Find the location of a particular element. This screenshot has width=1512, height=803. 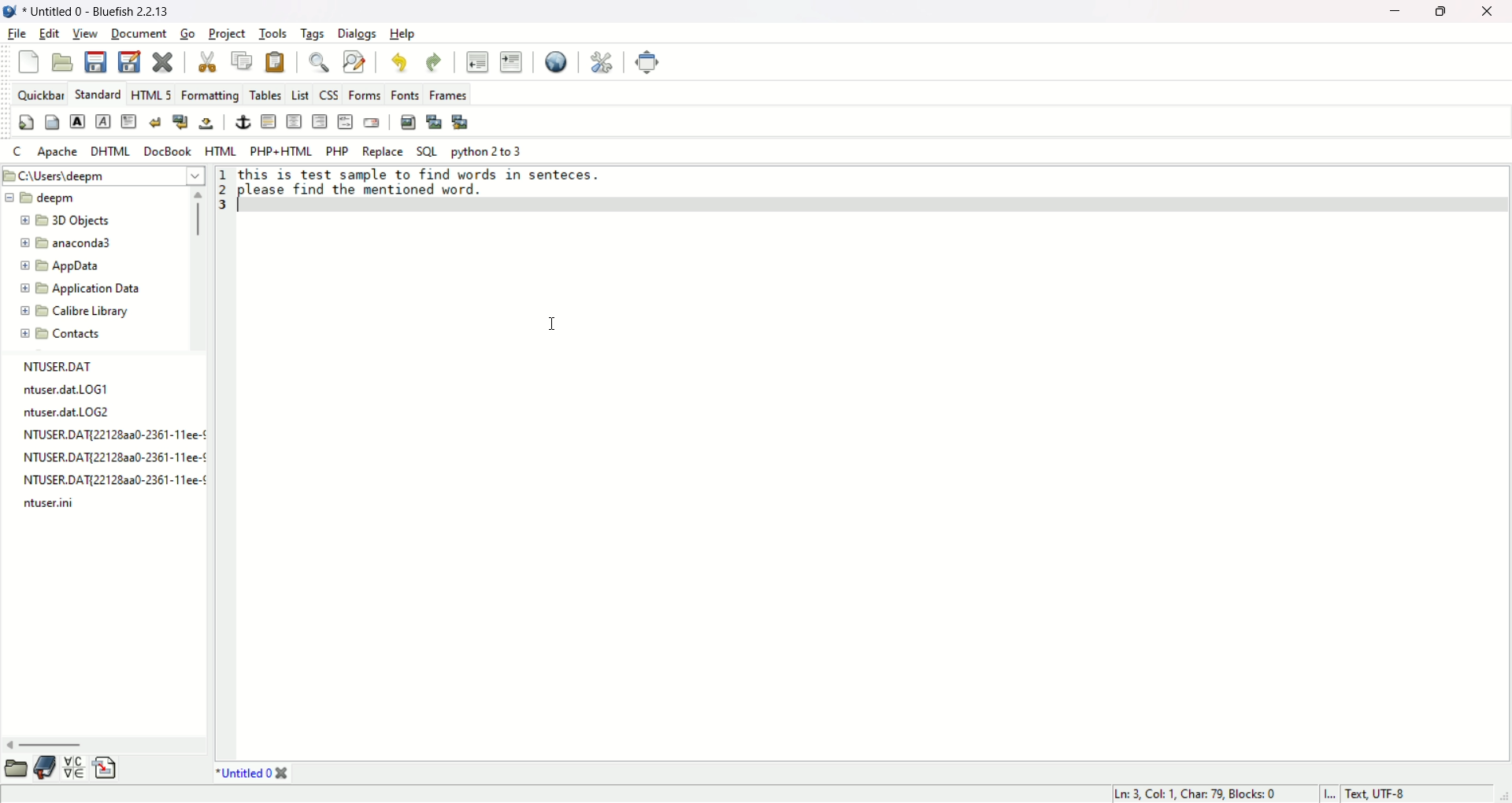

C is located at coordinates (15, 149).